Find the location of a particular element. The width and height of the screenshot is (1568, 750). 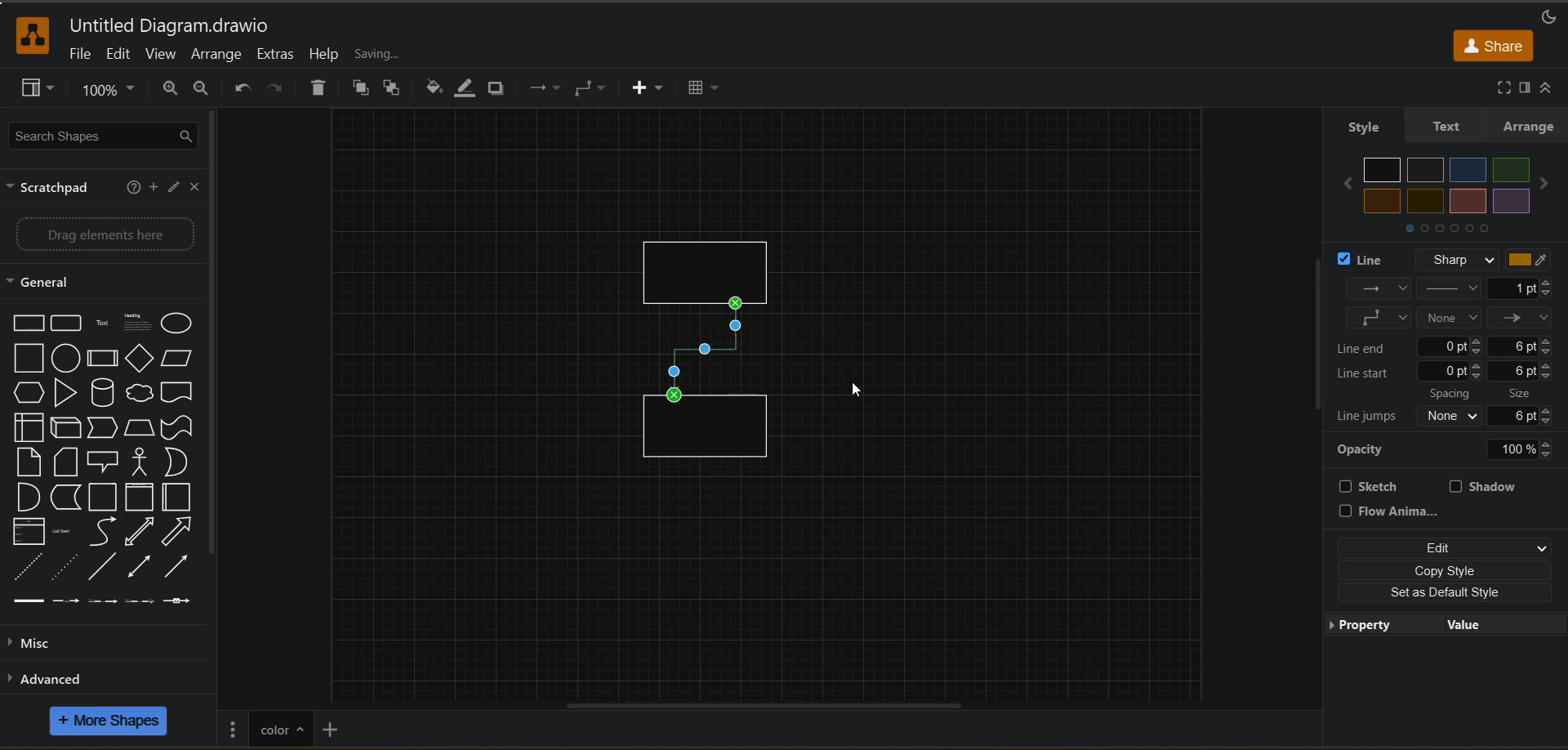

Line is located at coordinates (1367, 261).